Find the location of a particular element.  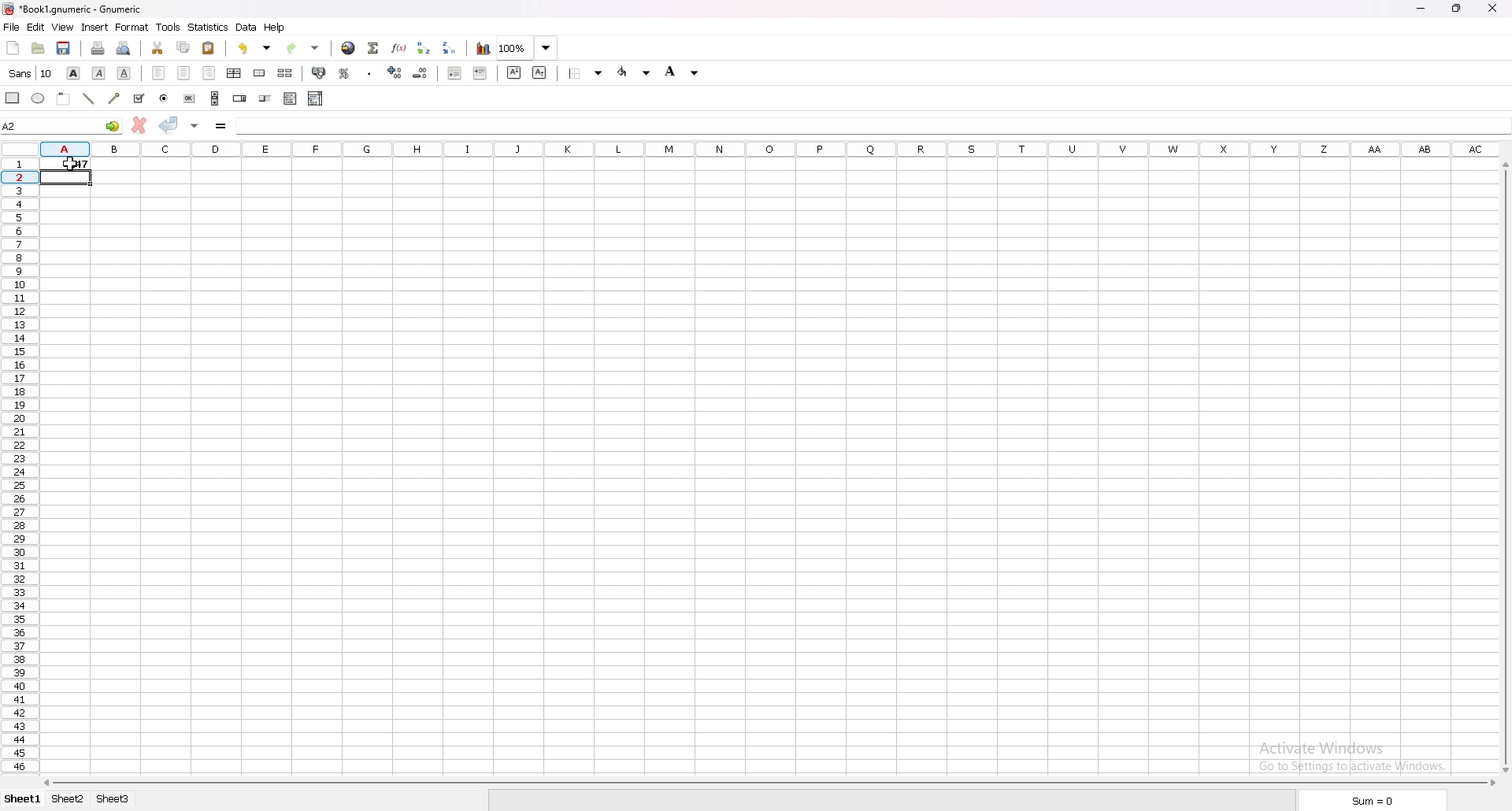

background is located at coordinates (682, 71).